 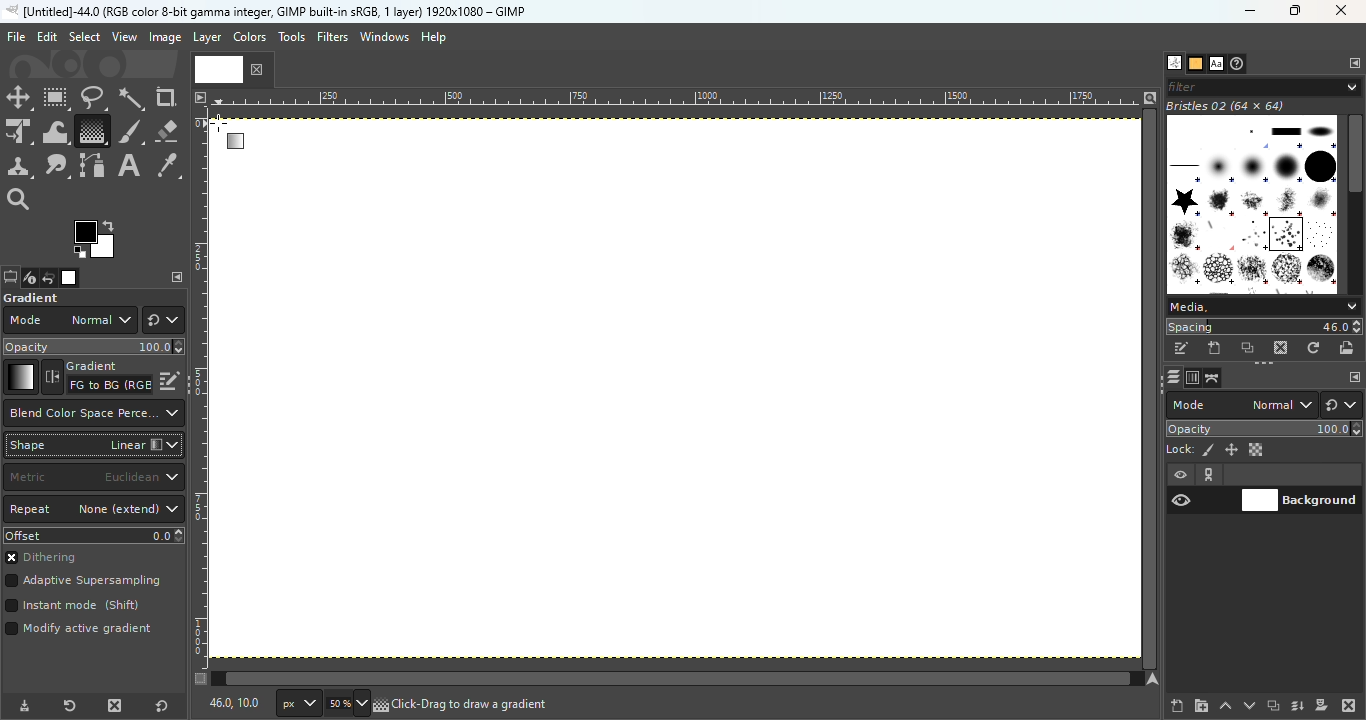 What do you see at coordinates (1181, 349) in the screenshot?
I see `Edit this brush` at bounding box center [1181, 349].